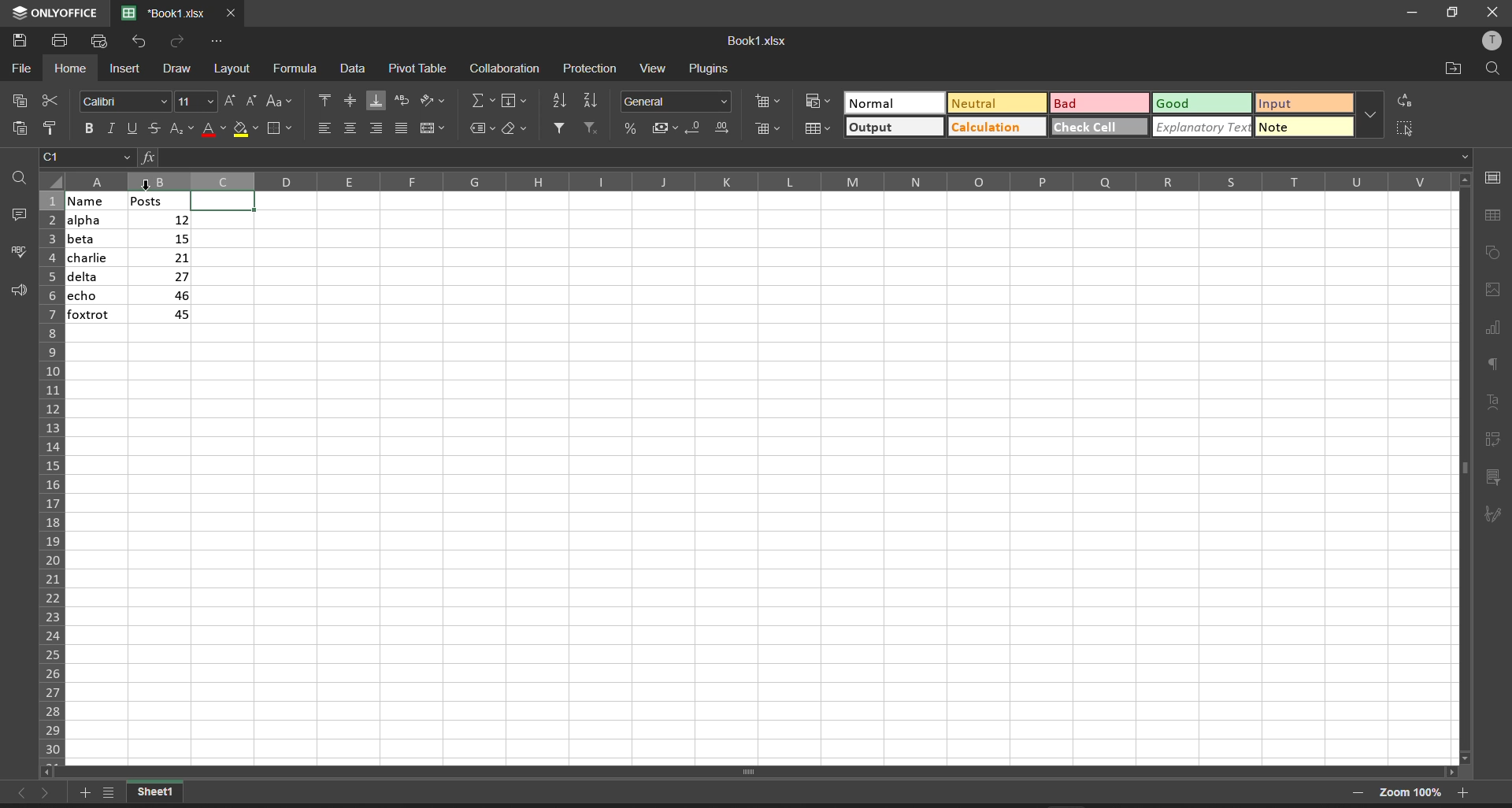 This screenshot has height=808, width=1512. What do you see at coordinates (54, 473) in the screenshot?
I see `row name` at bounding box center [54, 473].